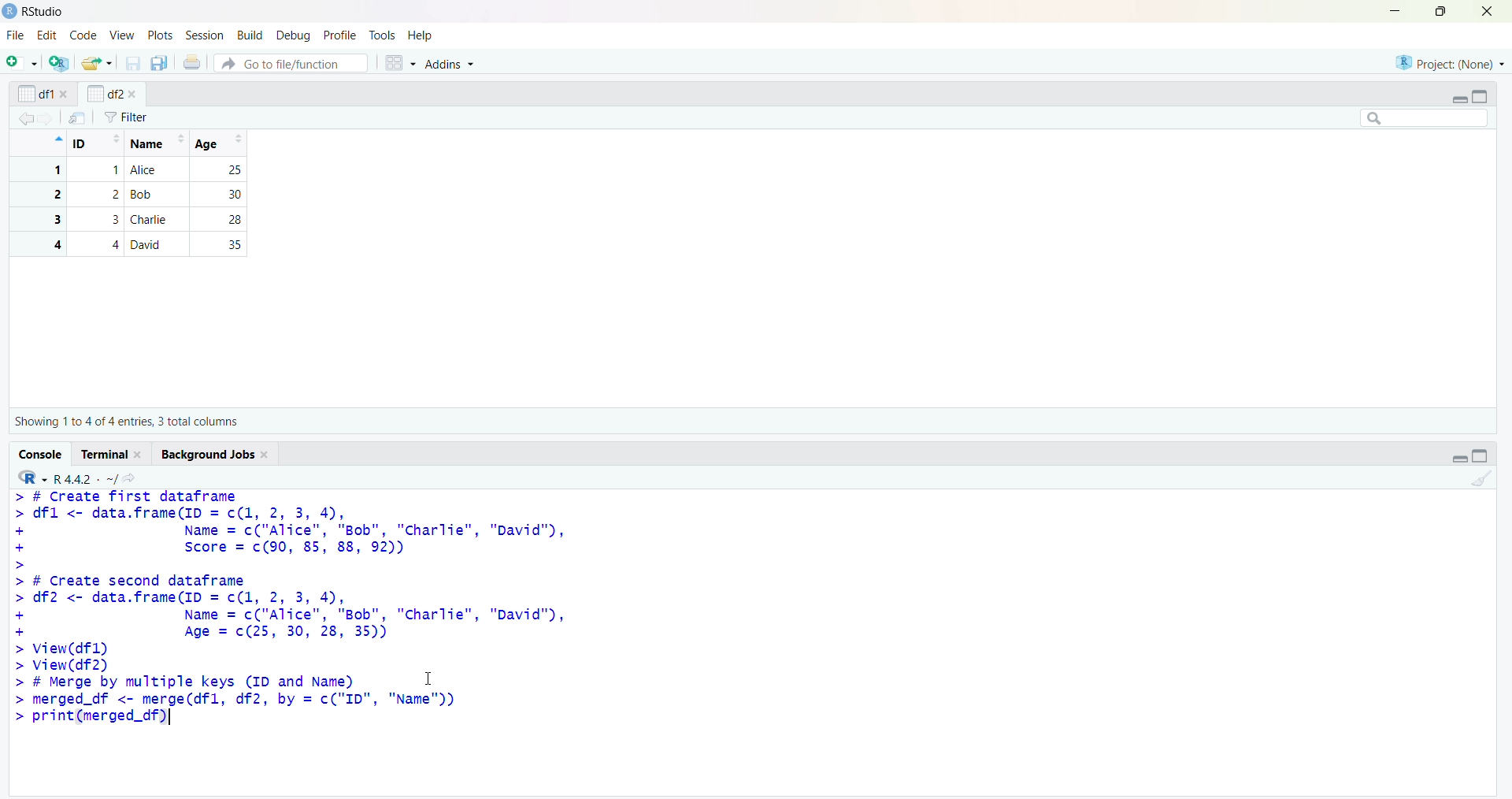 The width and height of the screenshot is (1512, 799). Describe the element at coordinates (104, 93) in the screenshot. I see `df2` at that location.